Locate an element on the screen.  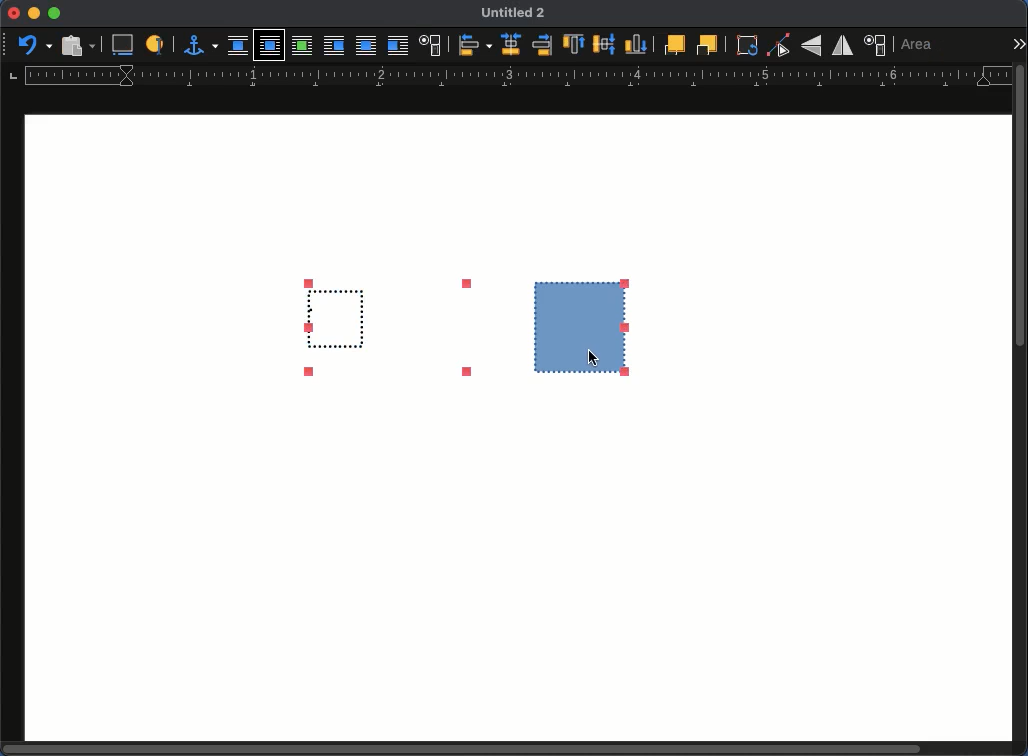
flip horizontally is located at coordinates (842, 47).